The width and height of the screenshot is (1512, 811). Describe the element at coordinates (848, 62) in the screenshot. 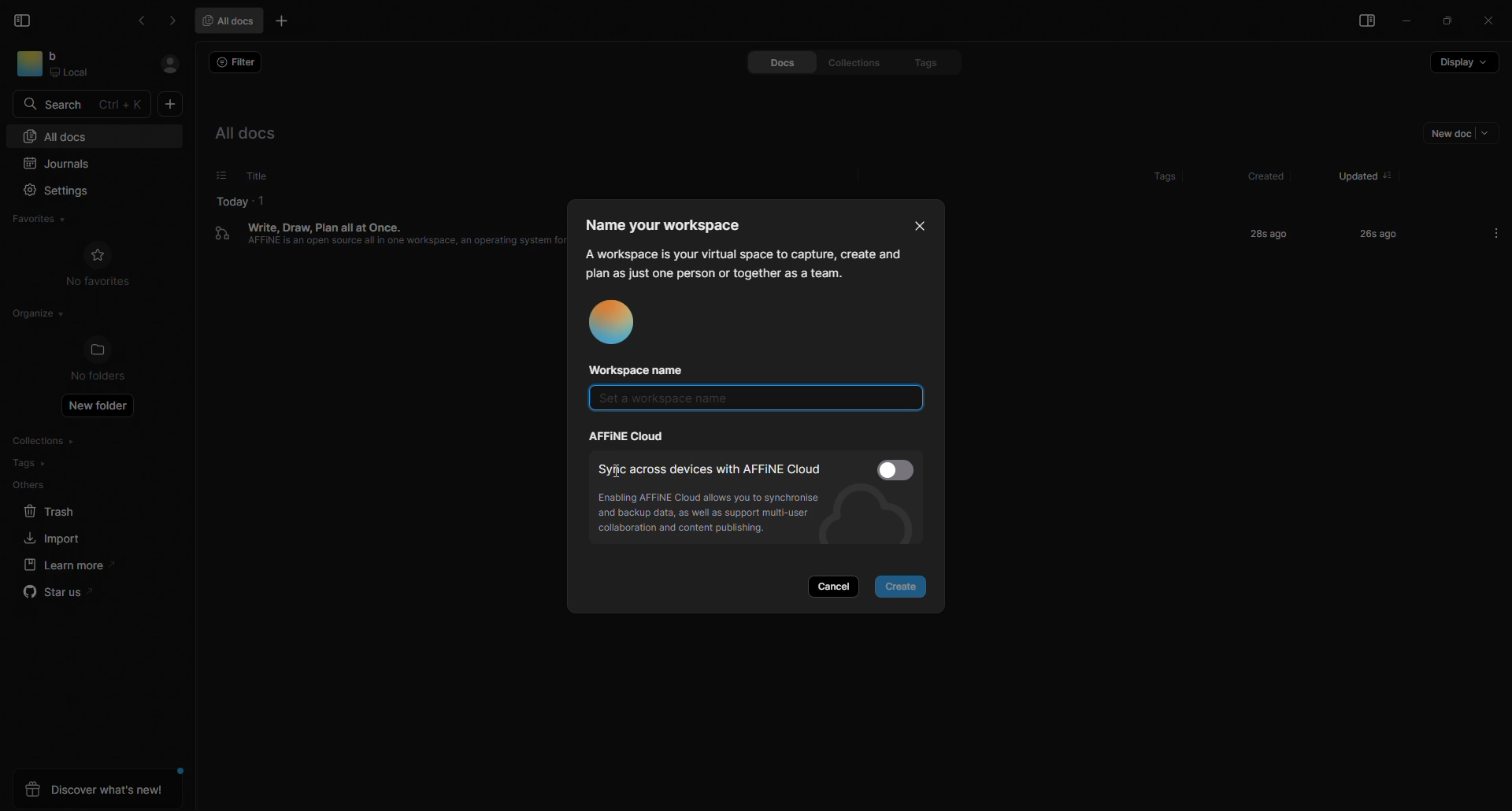

I see `collections` at that location.